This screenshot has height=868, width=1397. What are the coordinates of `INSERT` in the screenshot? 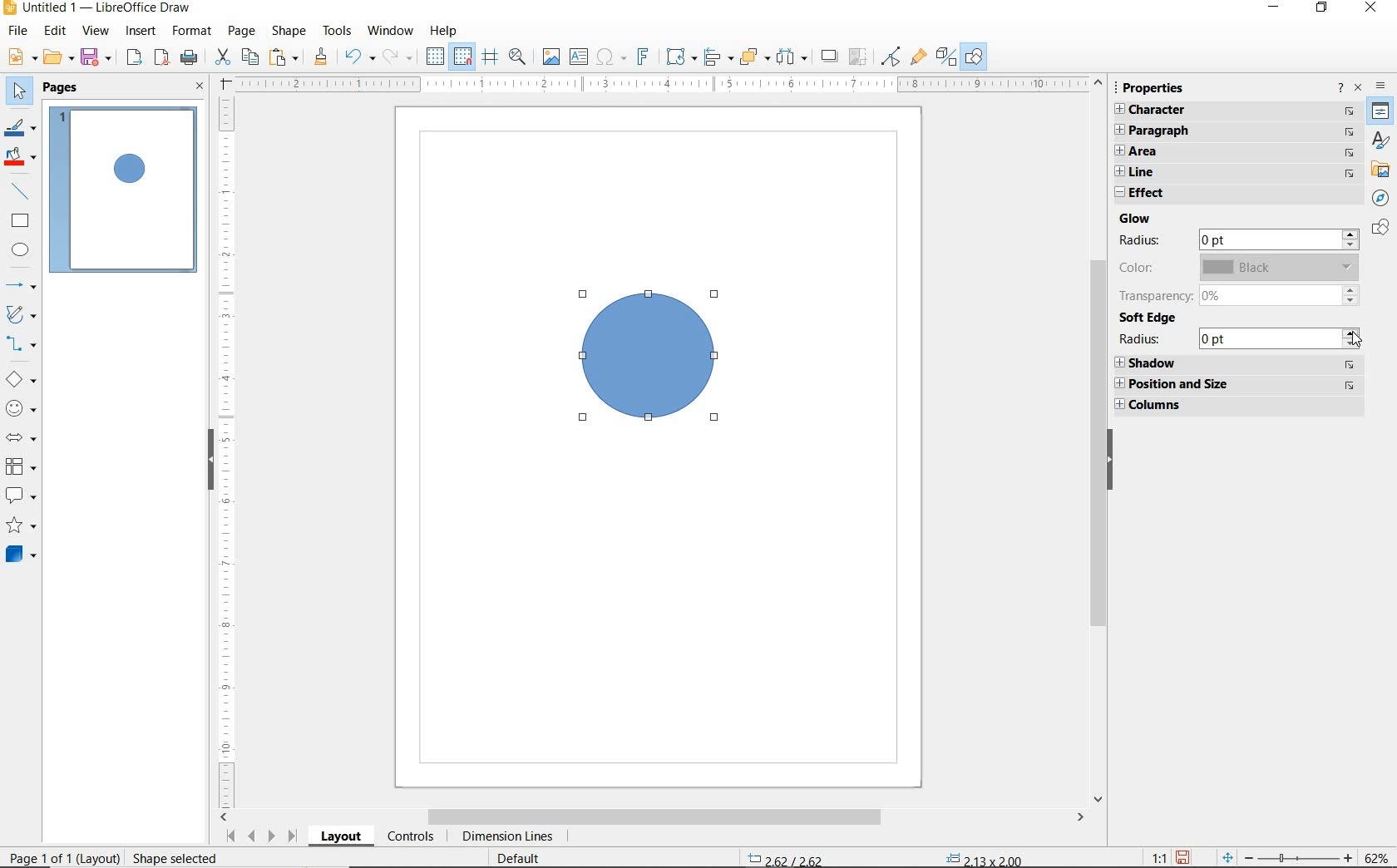 It's located at (141, 32).